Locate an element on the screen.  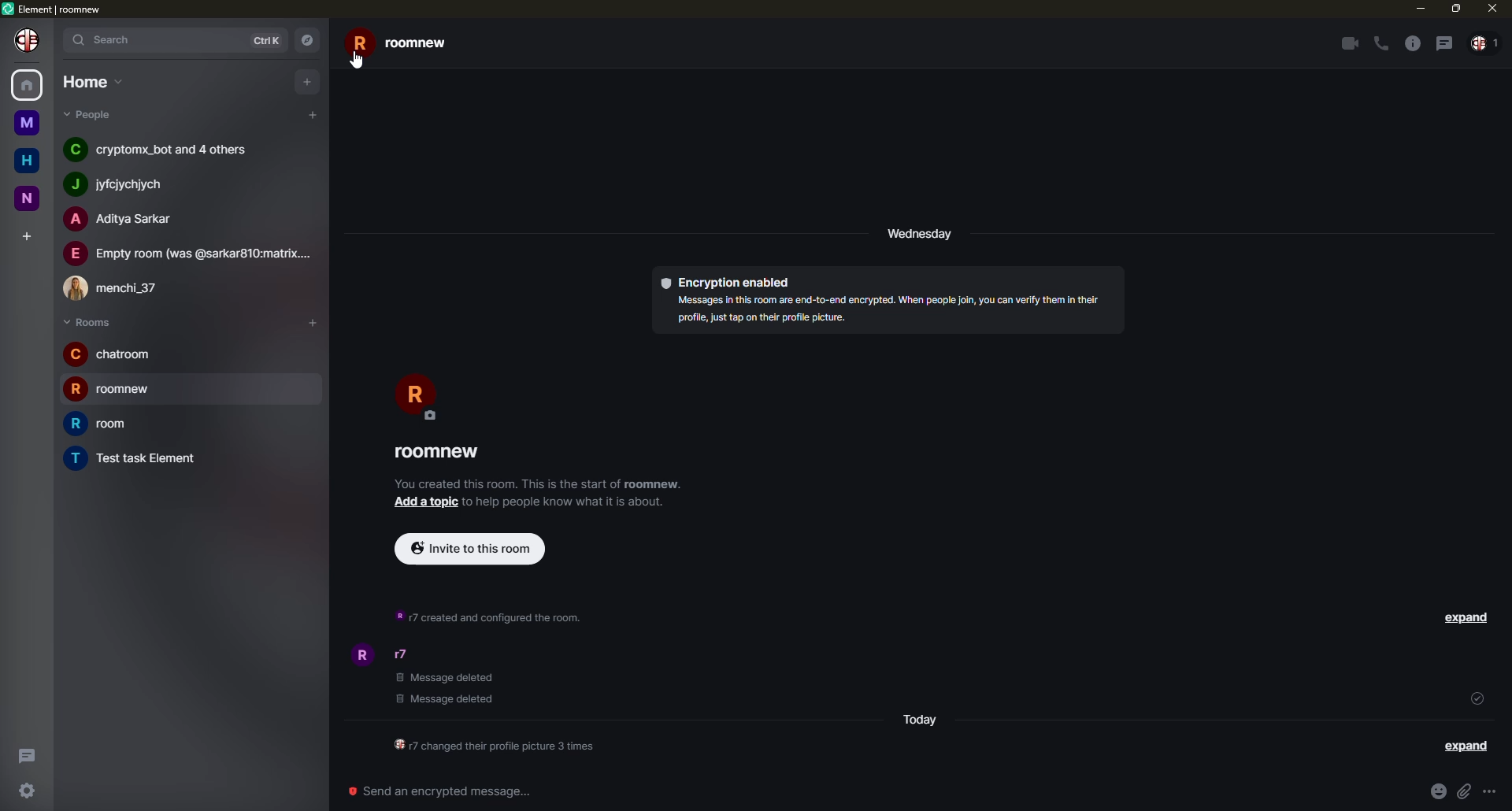
room is located at coordinates (112, 354).